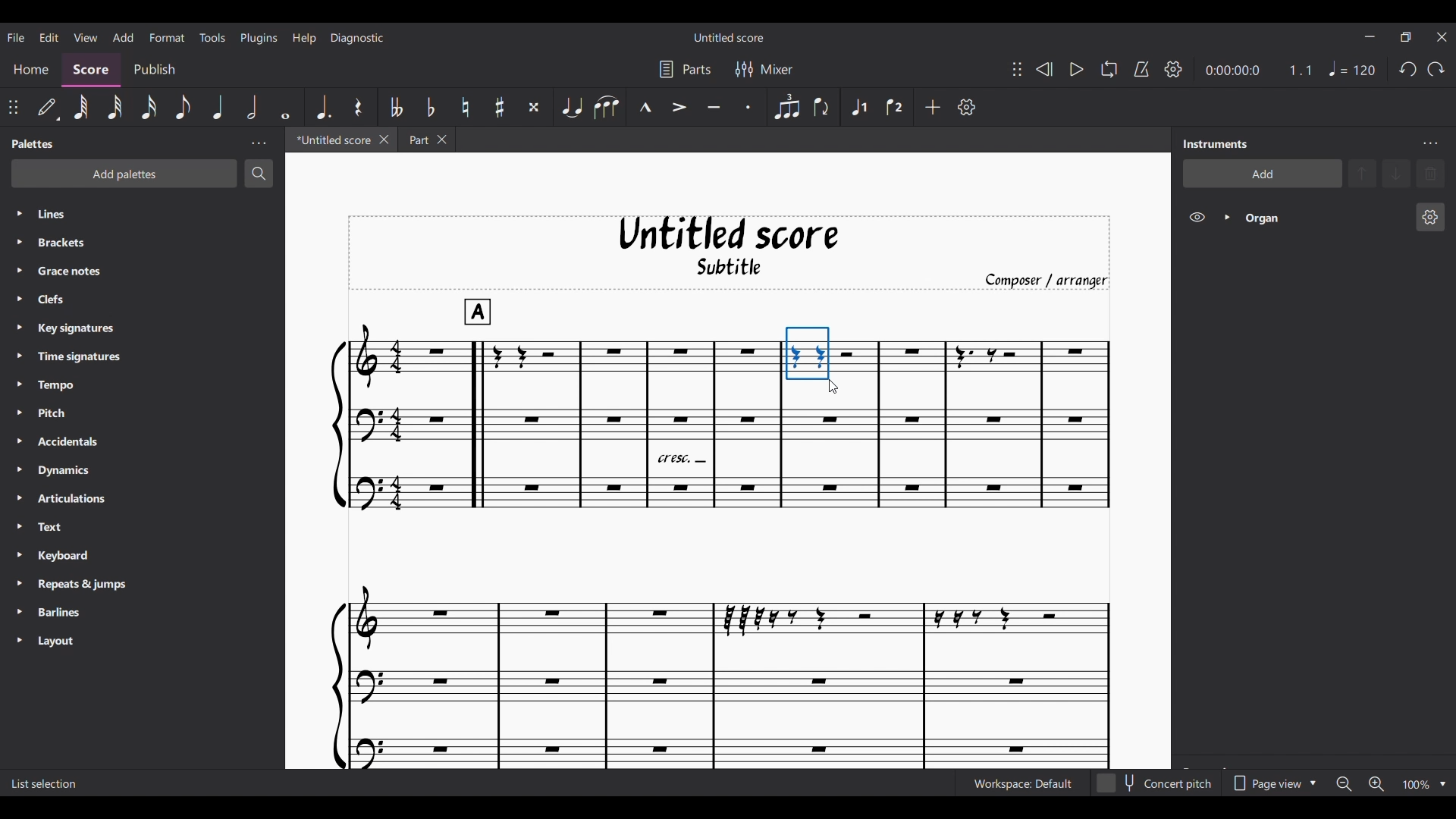  Describe the element at coordinates (426, 140) in the screenshot. I see `Earlier tab` at that location.